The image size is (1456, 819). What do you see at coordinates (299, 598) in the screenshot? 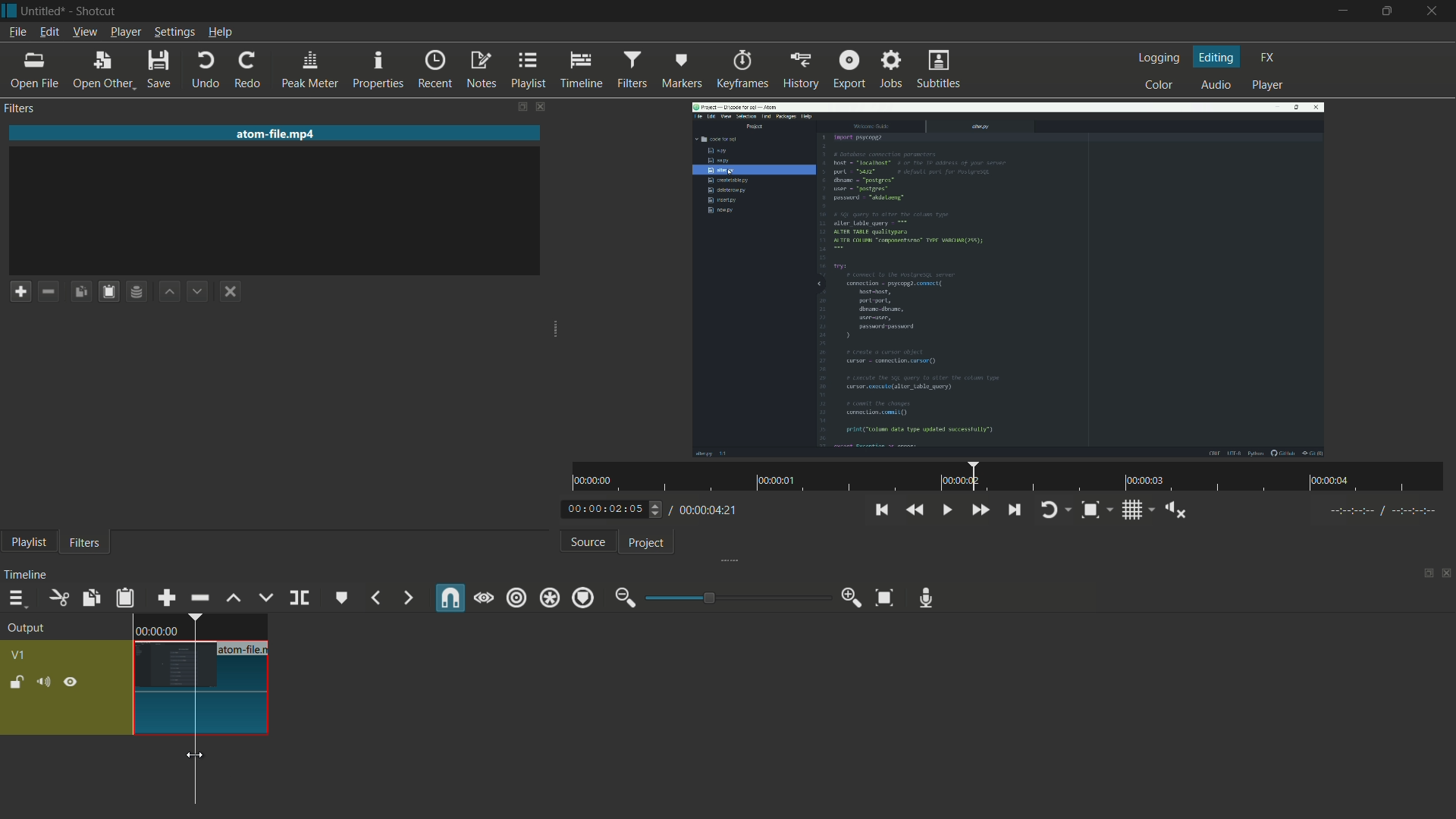
I see `split at playhead` at bounding box center [299, 598].